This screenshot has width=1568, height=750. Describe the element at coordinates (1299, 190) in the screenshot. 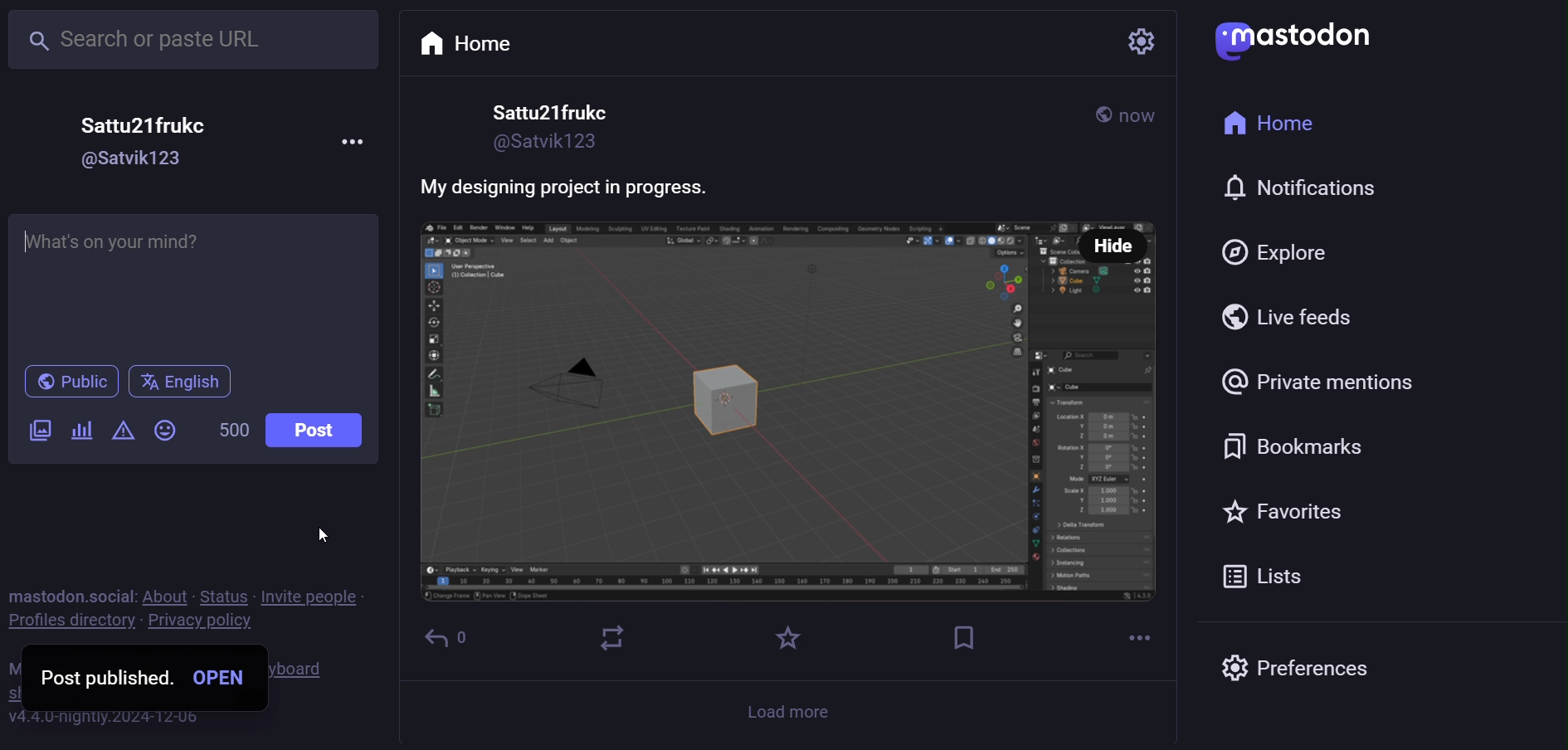

I see `notification` at that location.